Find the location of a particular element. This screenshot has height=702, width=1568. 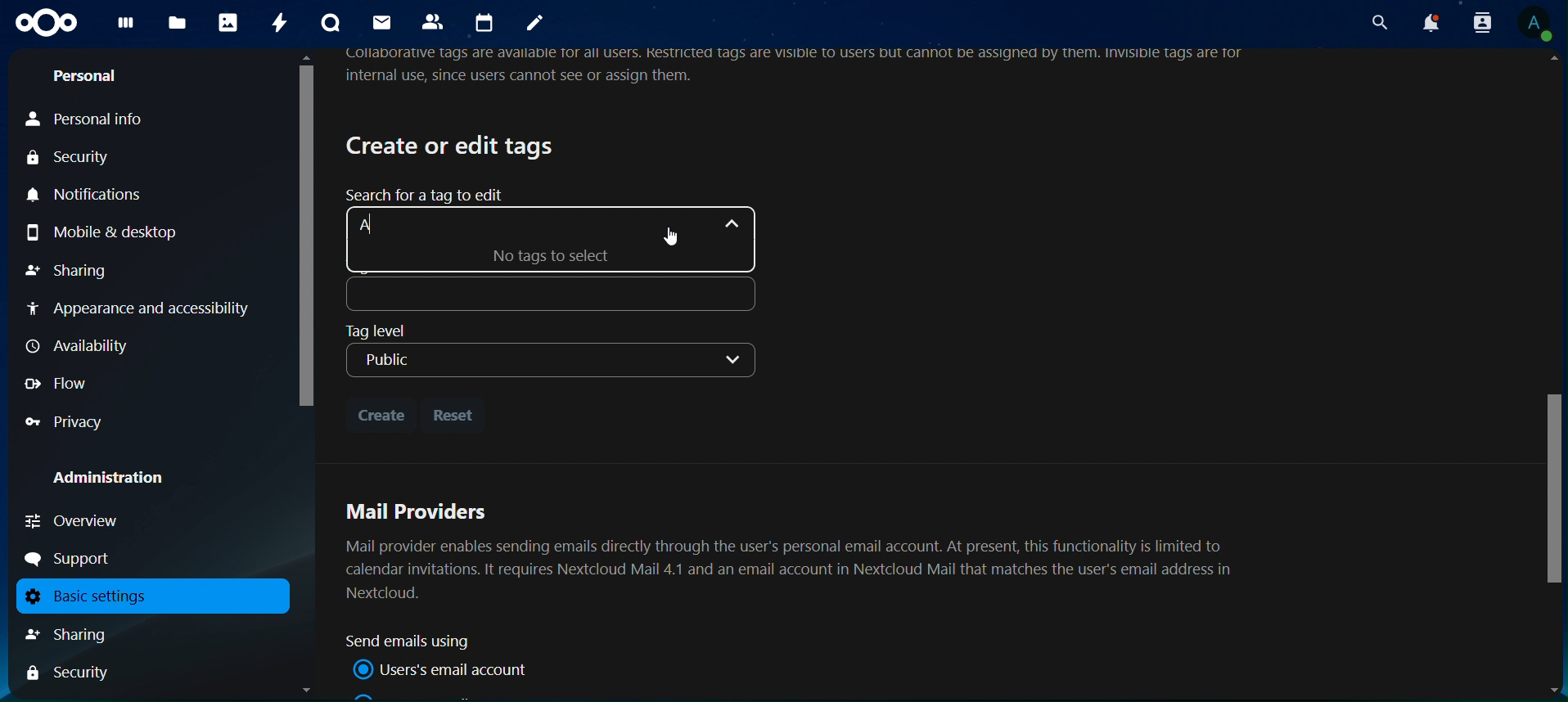

Scrollbar is located at coordinates (1551, 376).